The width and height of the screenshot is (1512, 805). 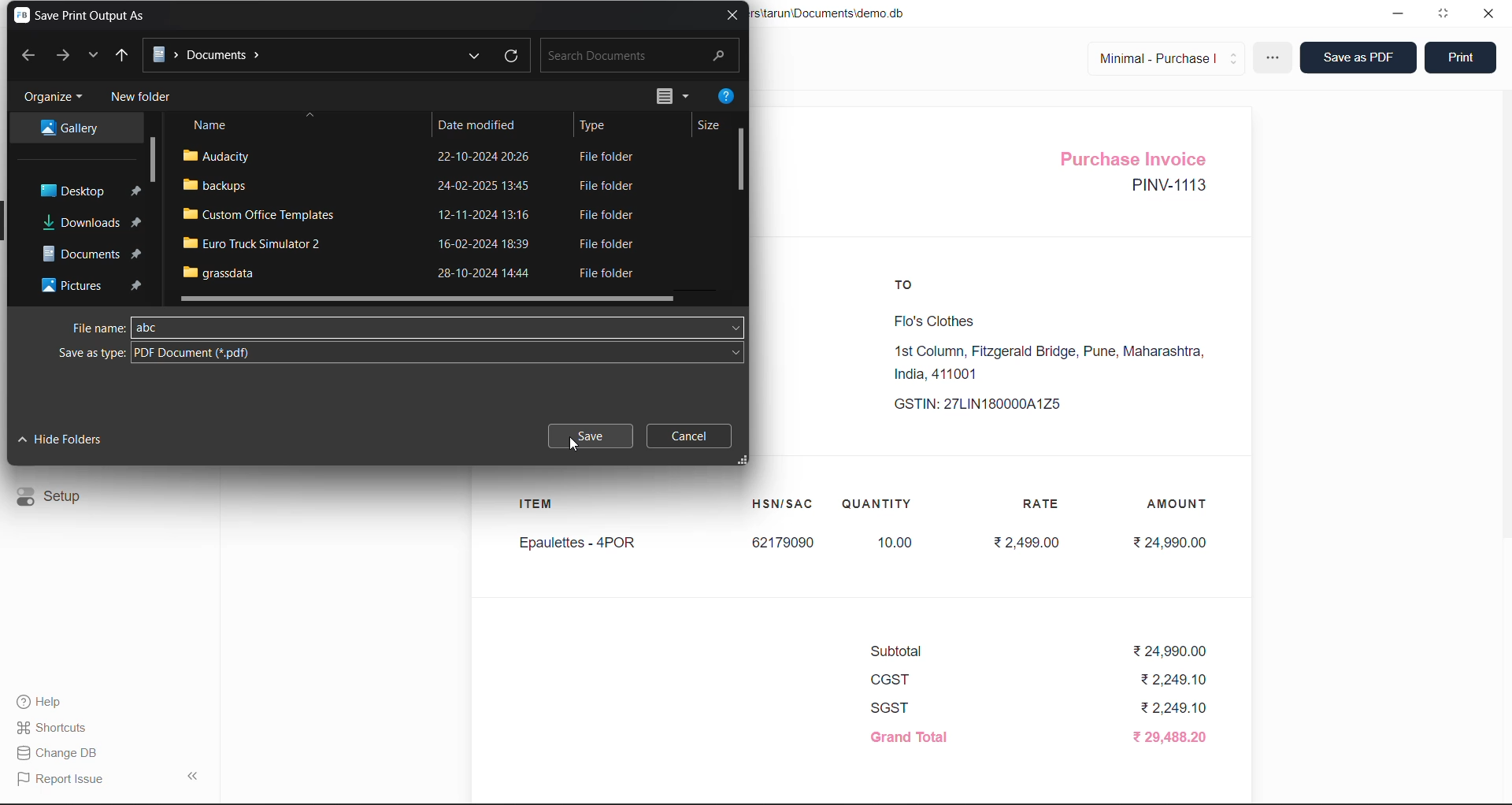 What do you see at coordinates (193, 354) in the screenshot?
I see `PDF Document (*.pdf)` at bounding box center [193, 354].